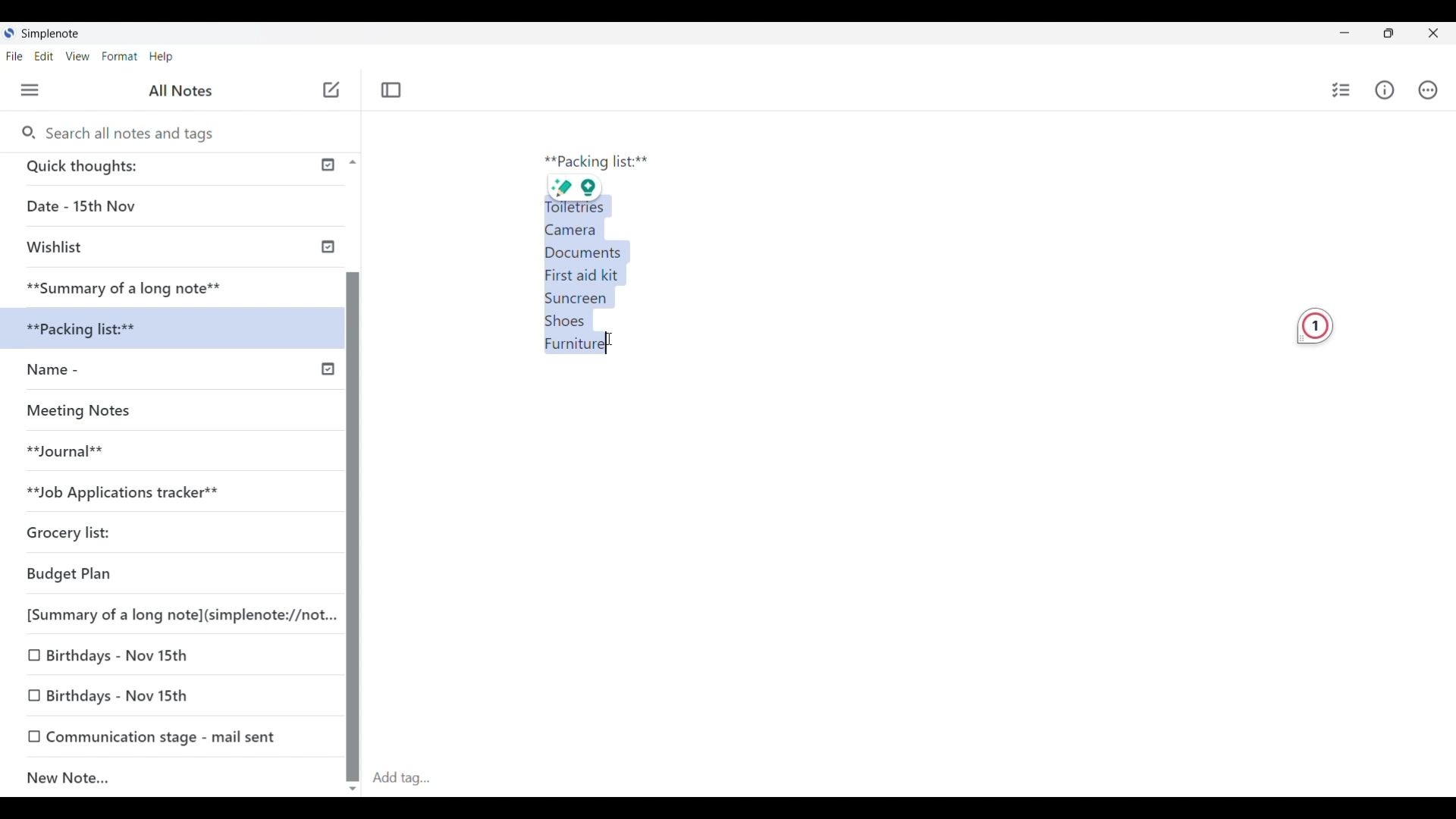 Image resolution: width=1456 pixels, height=819 pixels. What do you see at coordinates (126, 286) in the screenshot?
I see `Summary of a long note` at bounding box center [126, 286].